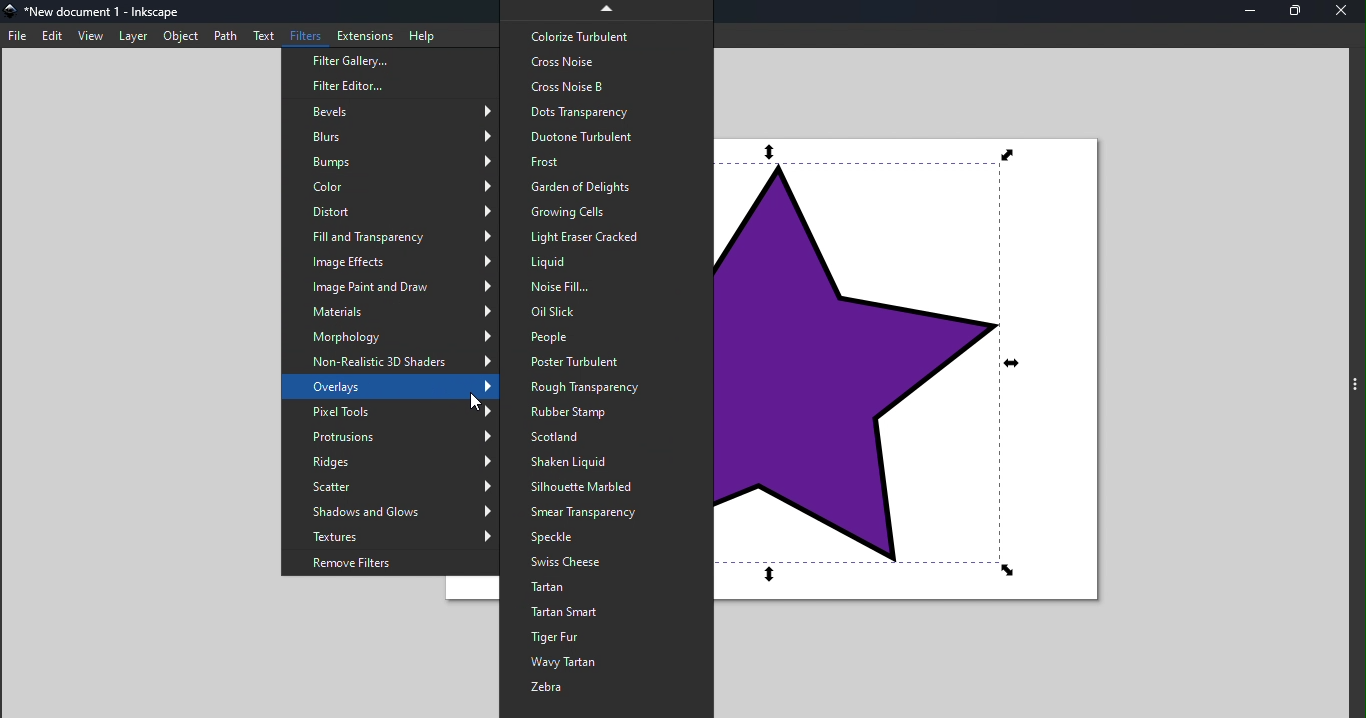 The height and width of the screenshot is (718, 1366). I want to click on Silhouette Marbled, so click(605, 485).